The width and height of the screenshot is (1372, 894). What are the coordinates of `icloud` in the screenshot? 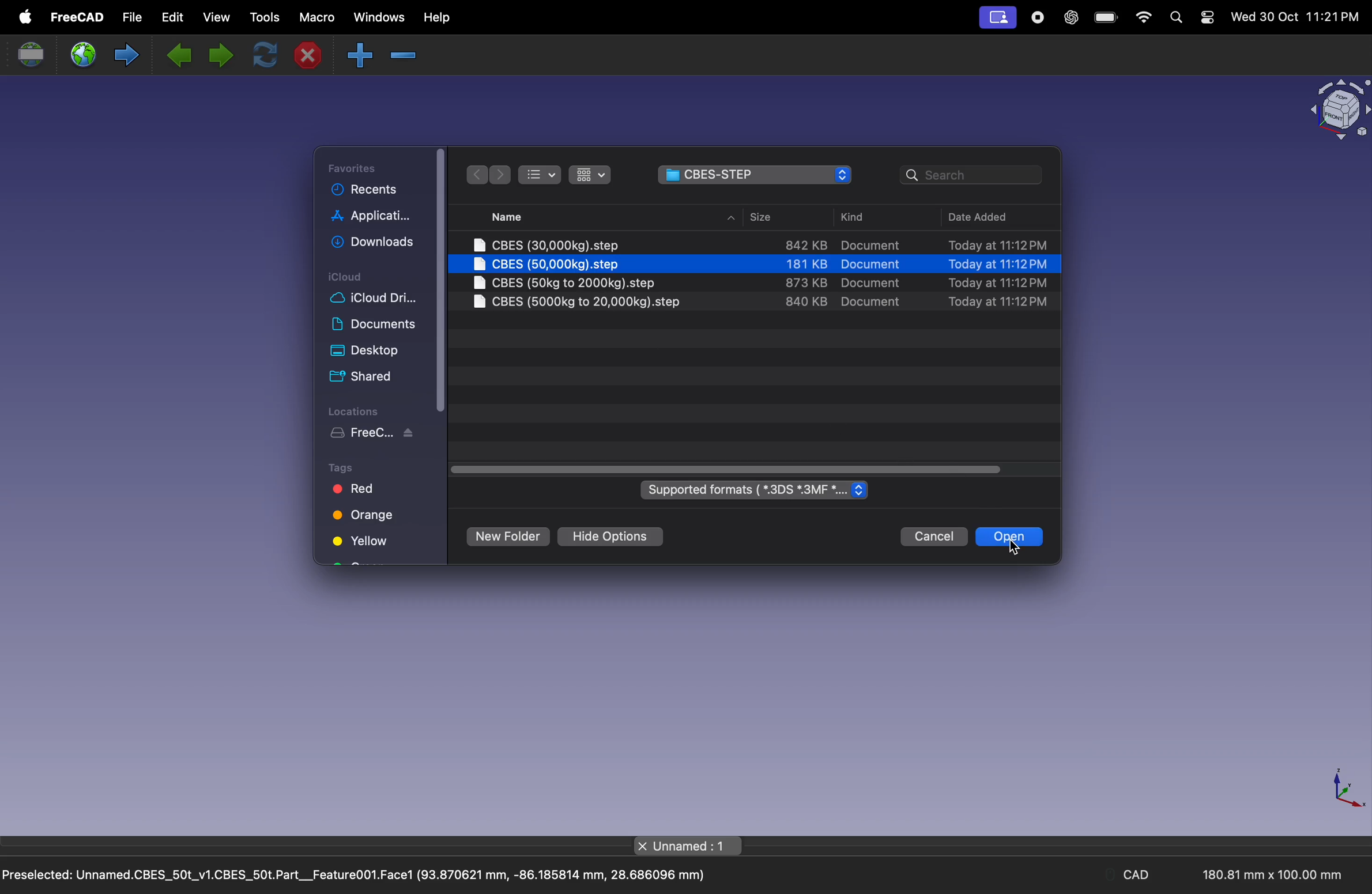 It's located at (349, 278).